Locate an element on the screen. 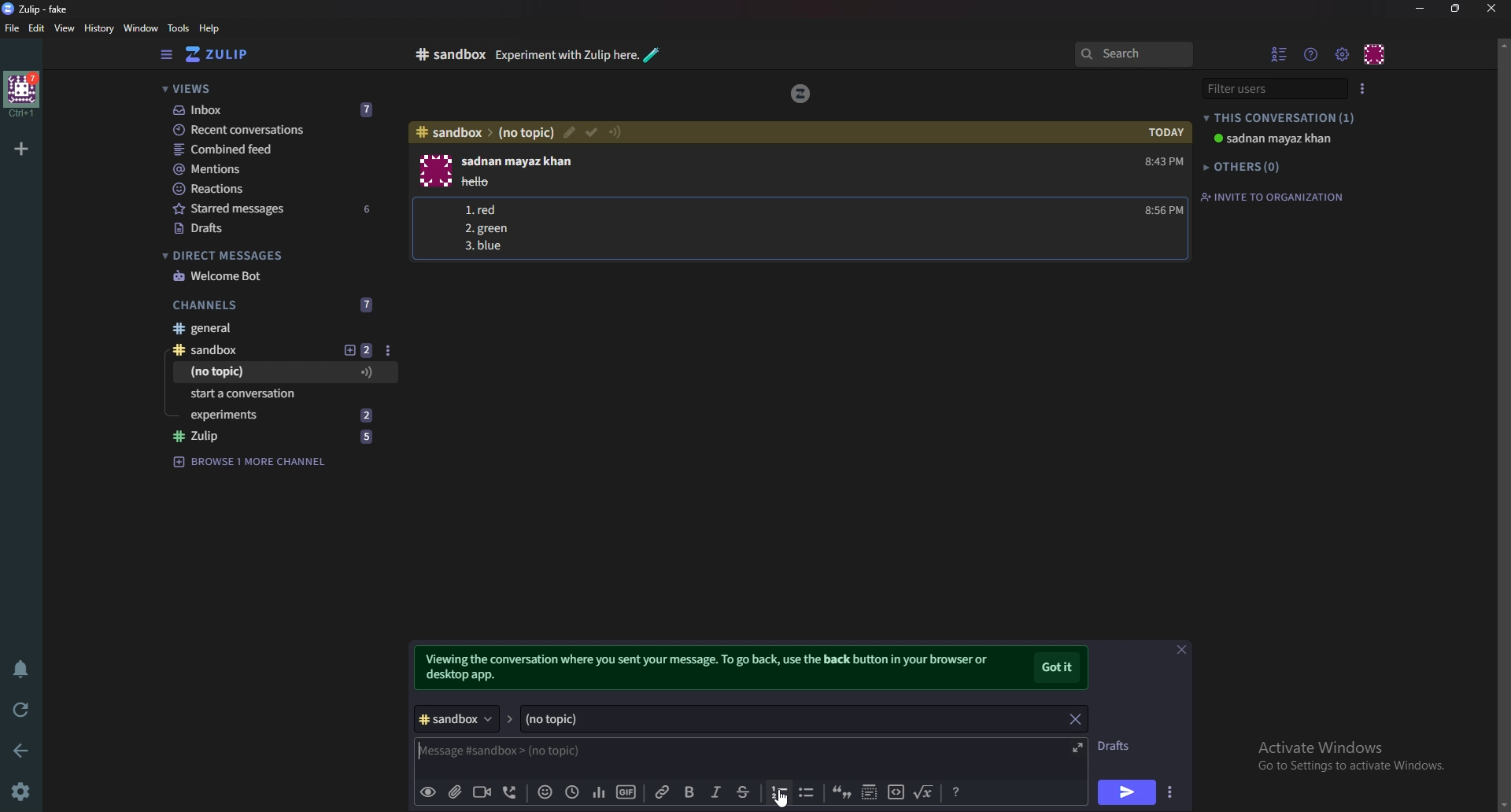 This screenshot has height=812, width=1511. Info is located at coordinates (616, 56).